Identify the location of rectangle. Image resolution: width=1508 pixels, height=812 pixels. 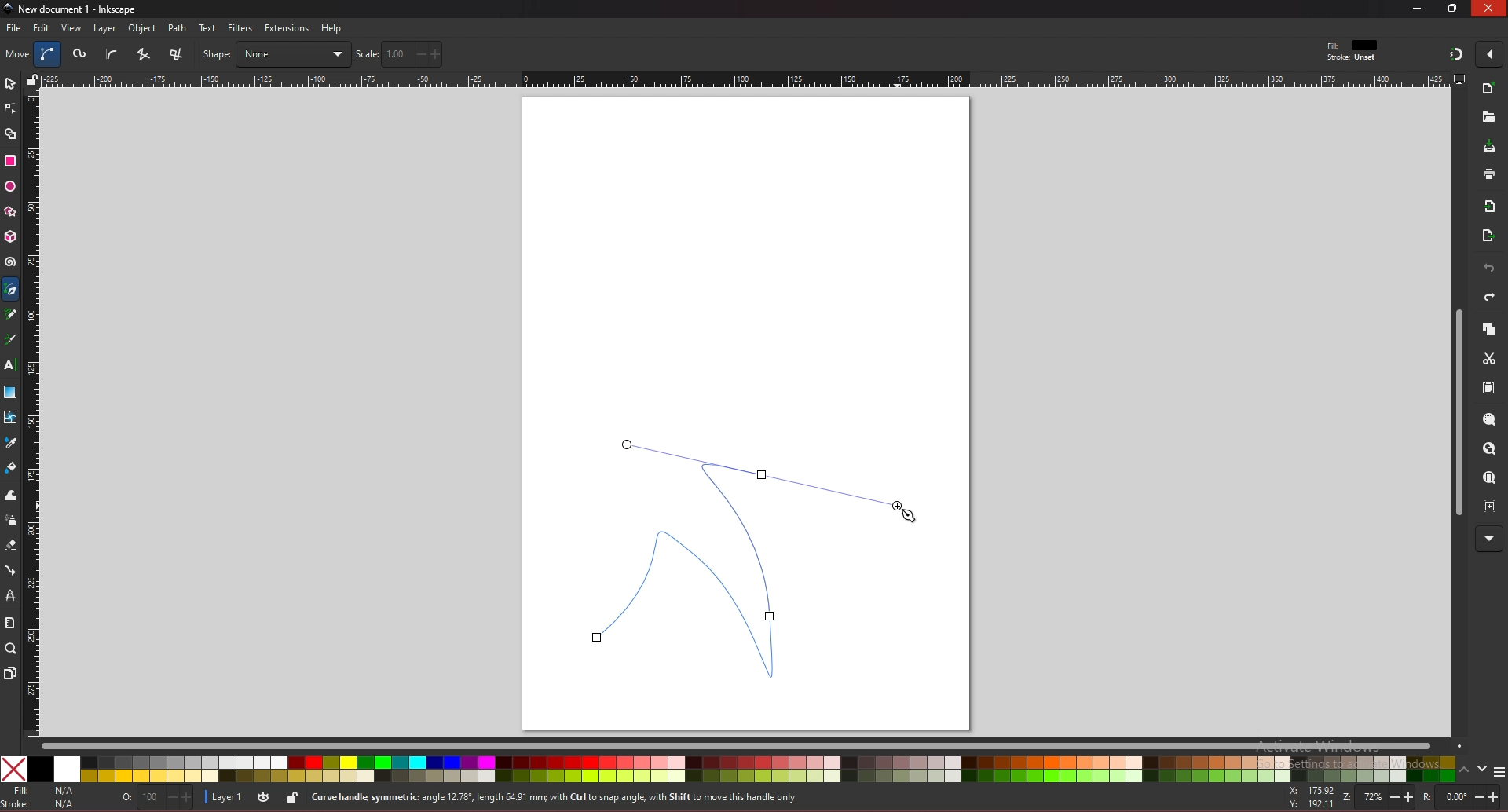
(9, 161).